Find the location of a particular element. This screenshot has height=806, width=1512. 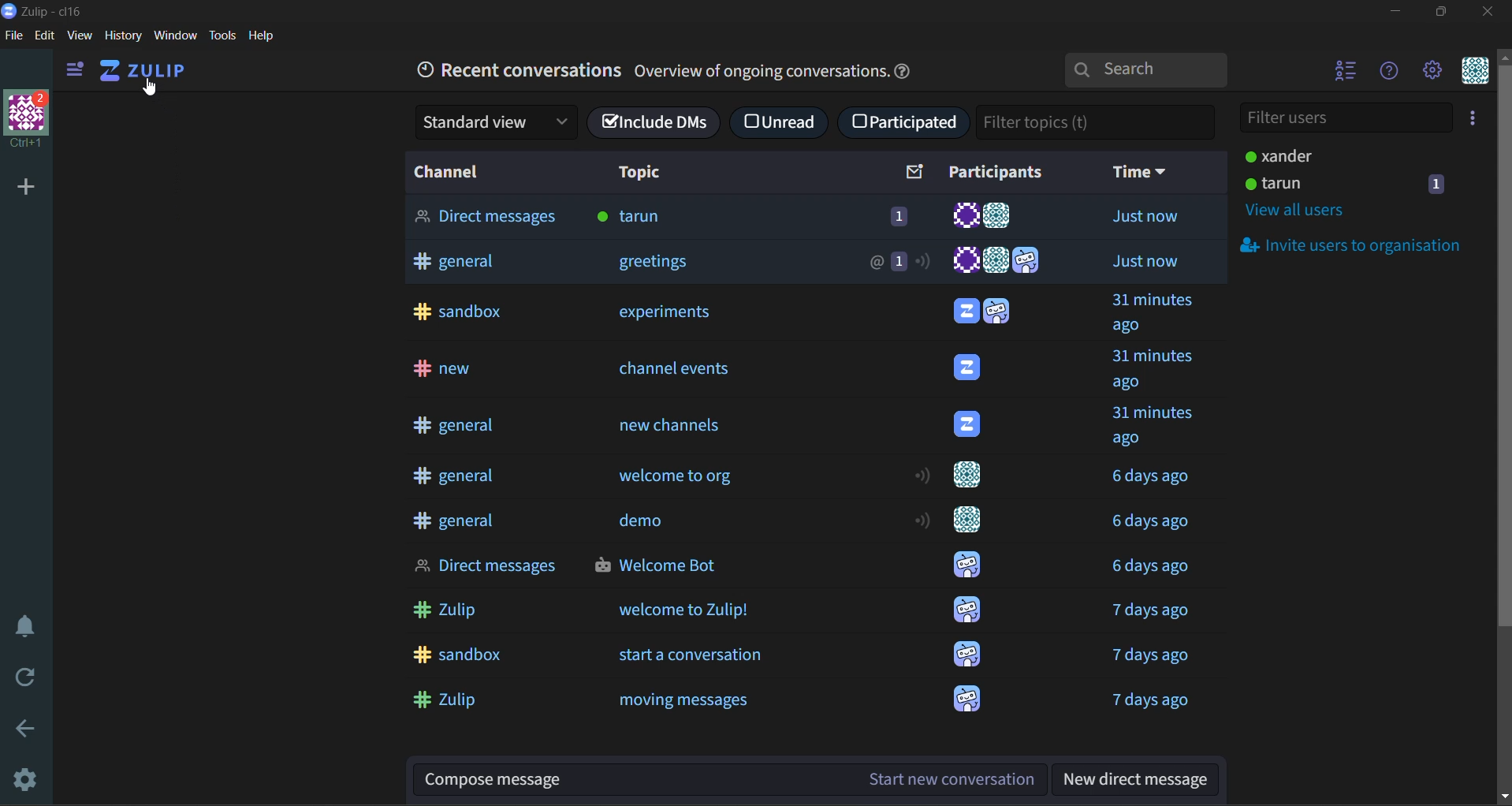

Time is located at coordinates (1154, 610).